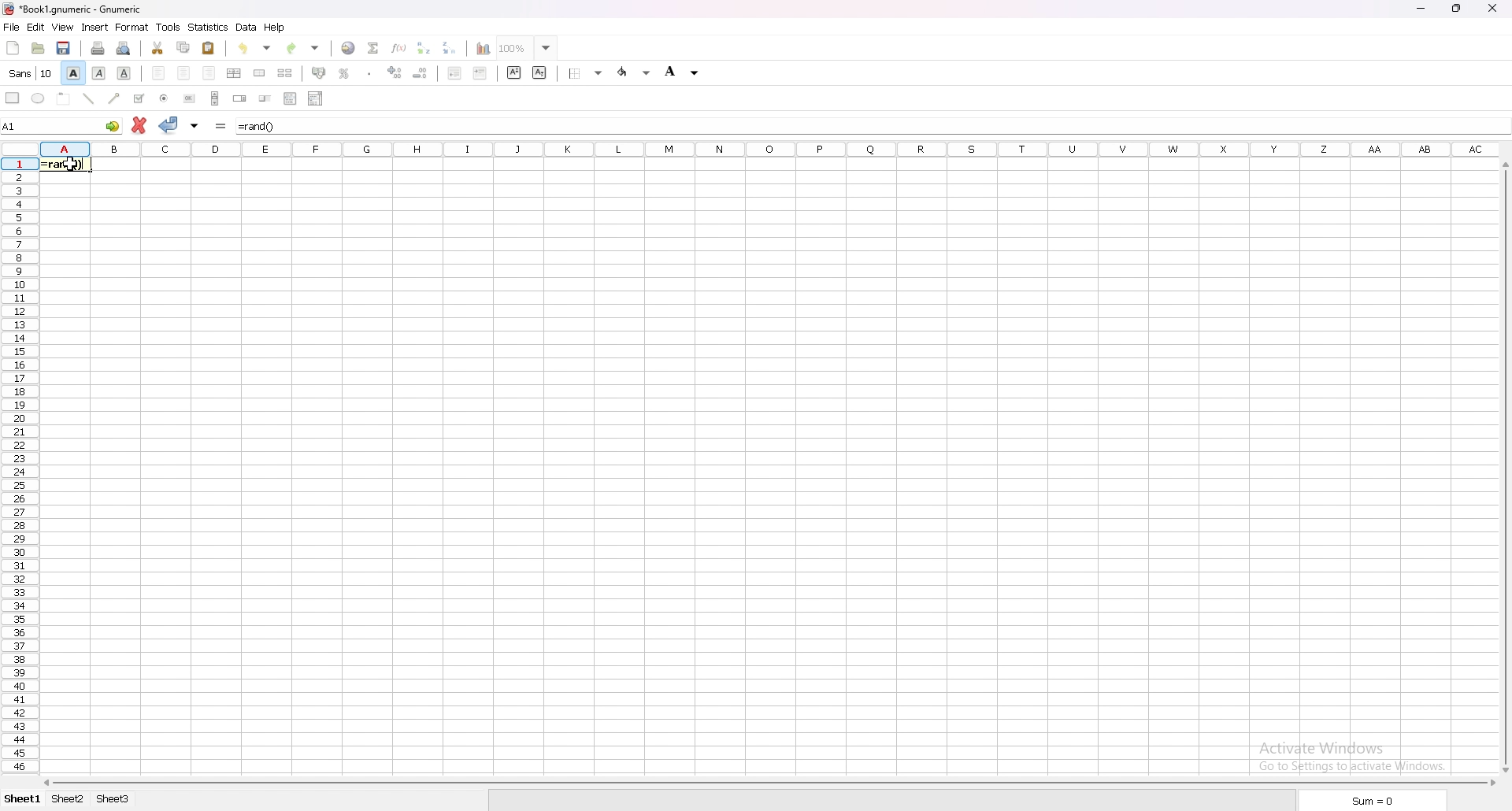 Image resolution: width=1512 pixels, height=811 pixels. I want to click on combo box, so click(316, 98).